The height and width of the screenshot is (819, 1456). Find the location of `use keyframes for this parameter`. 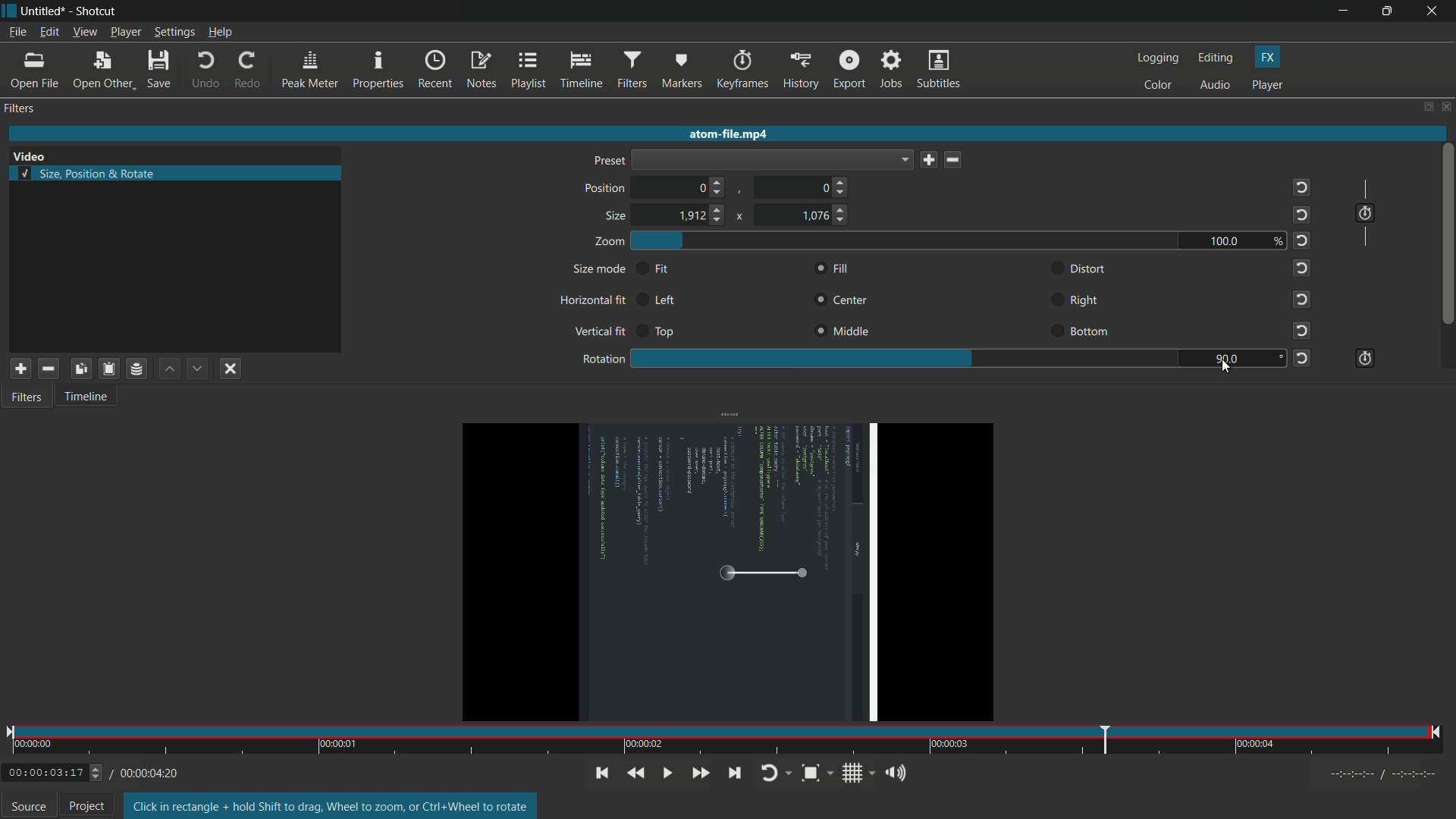

use keyframes for this parameter is located at coordinates (1363, 359).